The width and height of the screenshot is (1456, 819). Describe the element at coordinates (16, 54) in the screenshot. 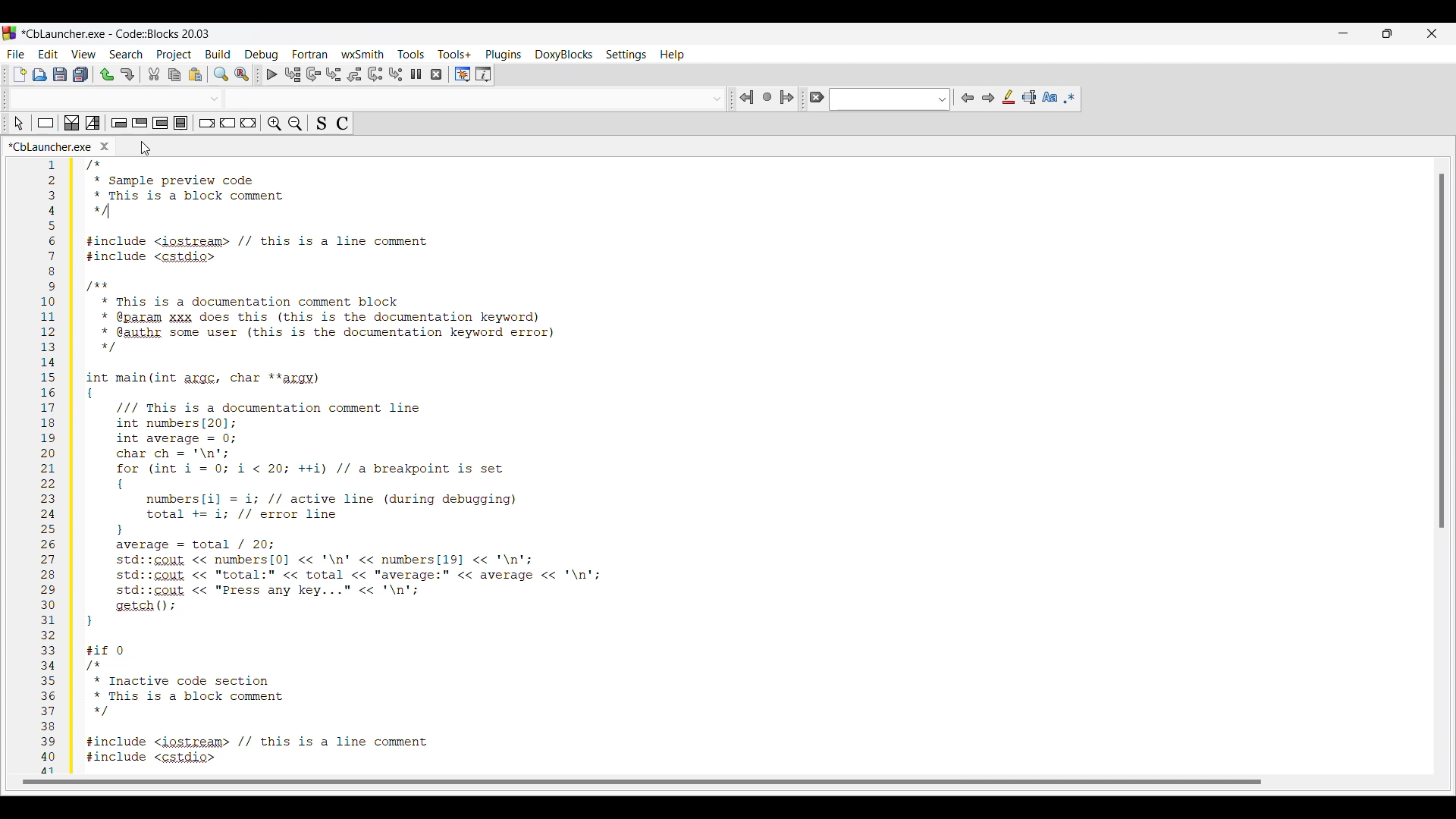

I see `File menu` at that location.